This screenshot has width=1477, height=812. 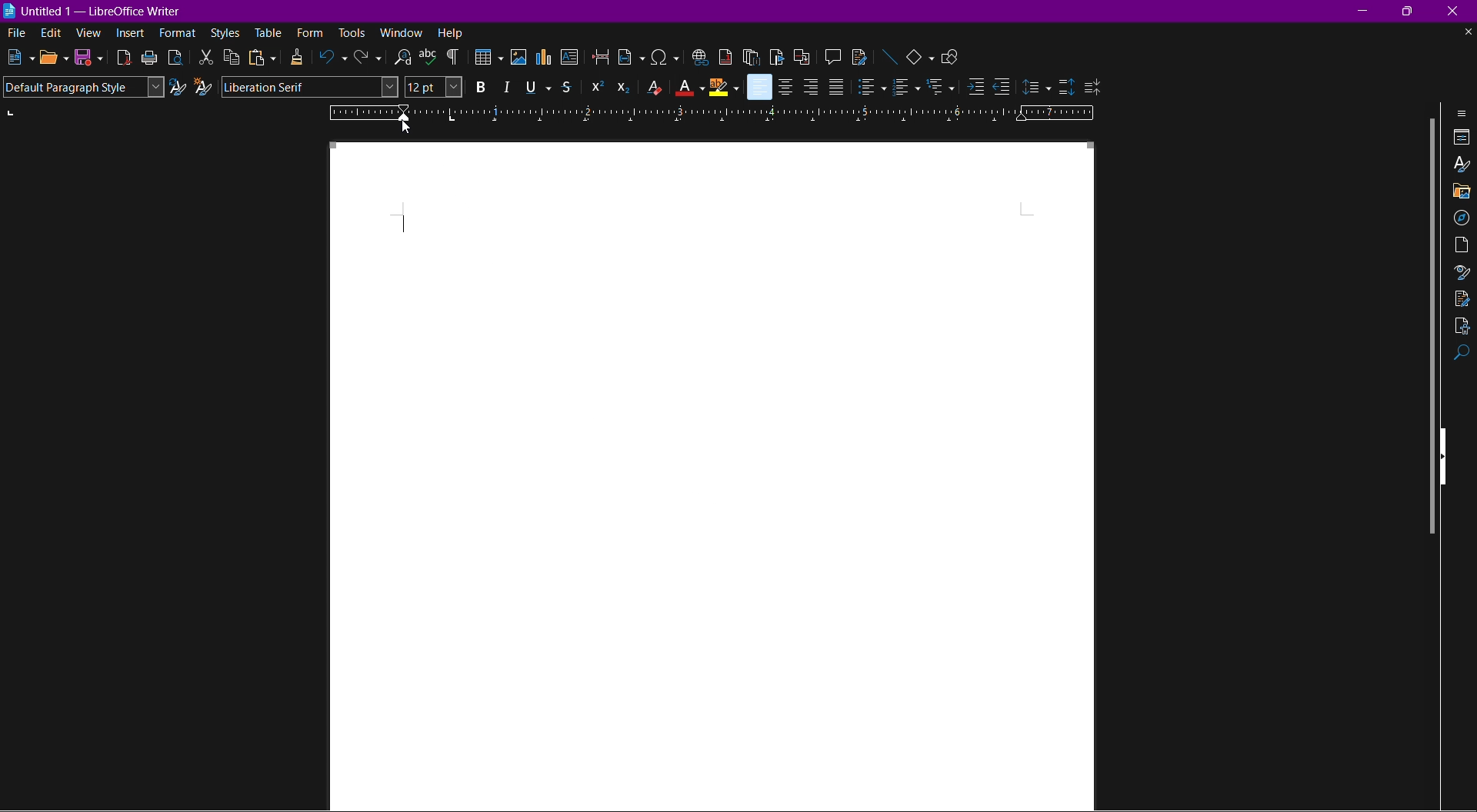 What do you see at coordinates (689, 88) in the screenshot?
I see `Font Color` at bounding box center [689, 88].